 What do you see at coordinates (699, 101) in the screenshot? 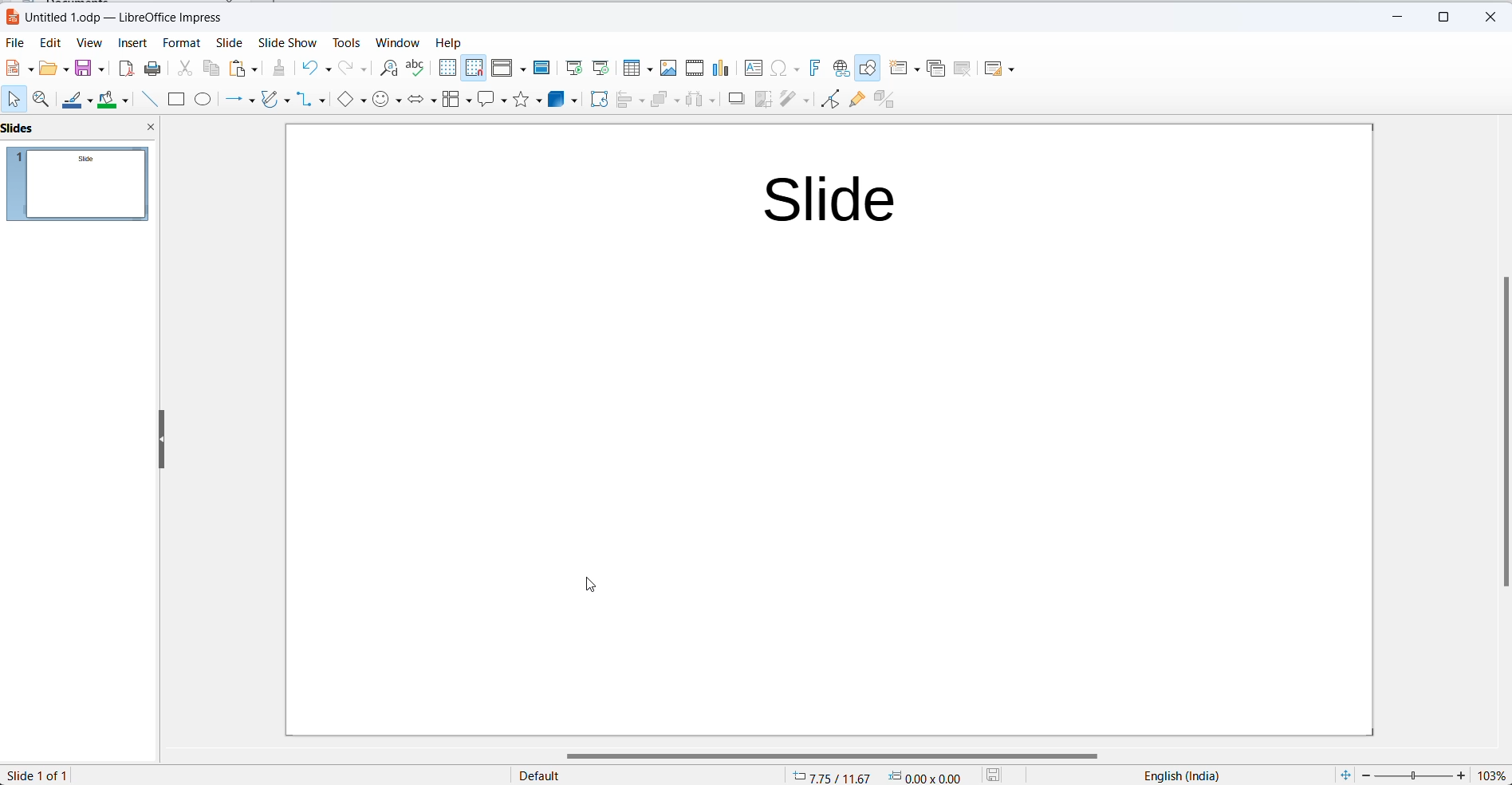
I see `distribute objects` at bounding box center [699, 101].